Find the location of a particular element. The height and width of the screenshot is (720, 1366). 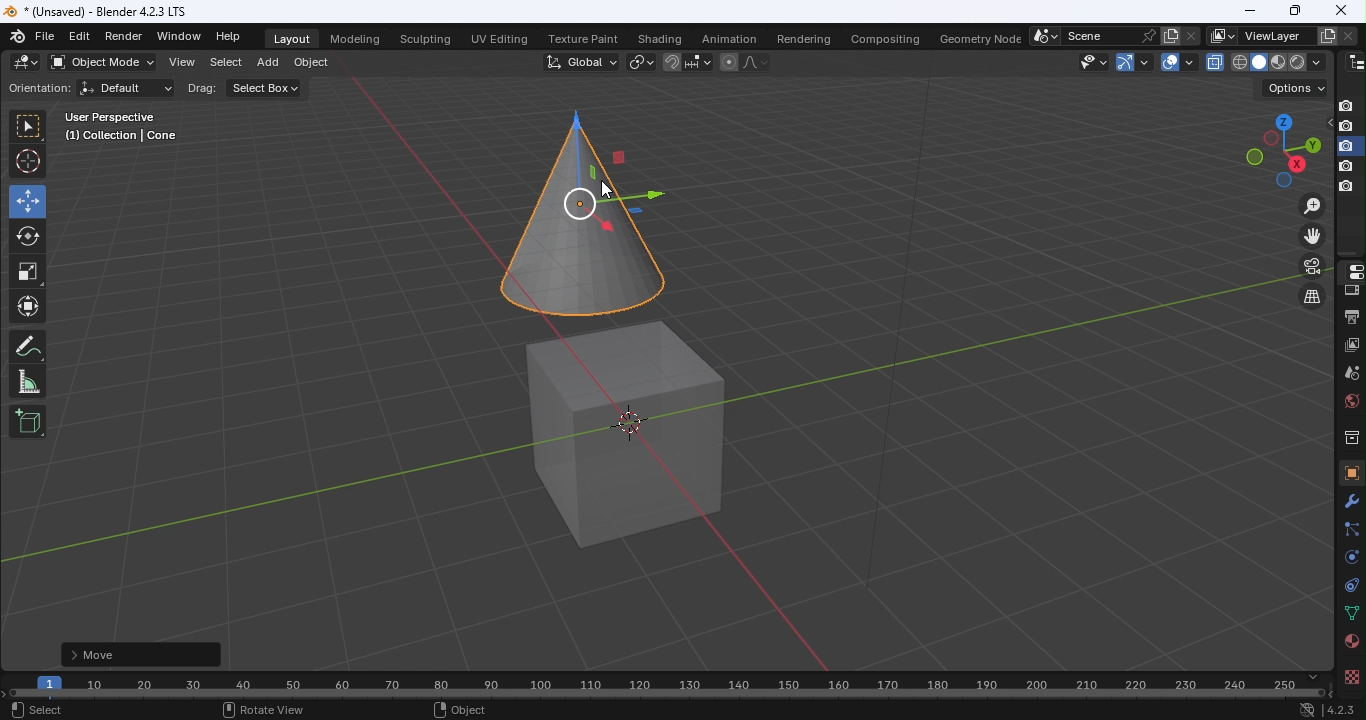

disable in renders is located at coordinates (1346, 187).